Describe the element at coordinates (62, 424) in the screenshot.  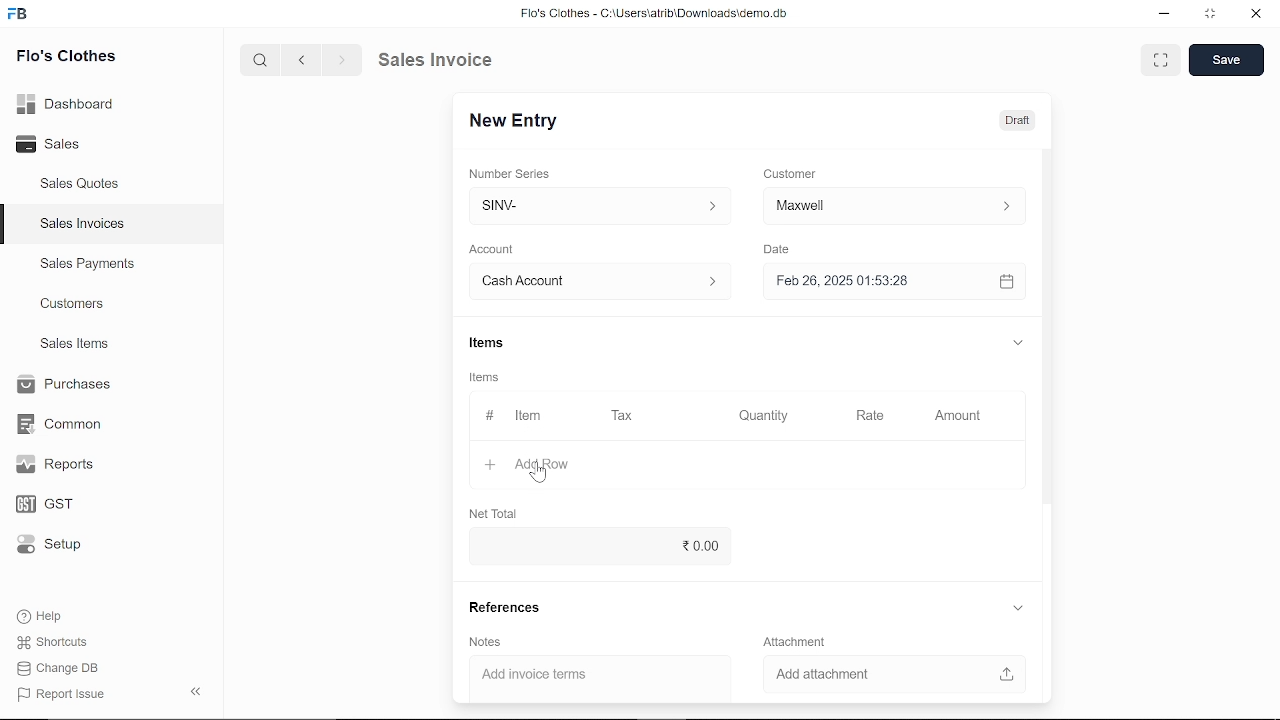
I see `Common` at that location.